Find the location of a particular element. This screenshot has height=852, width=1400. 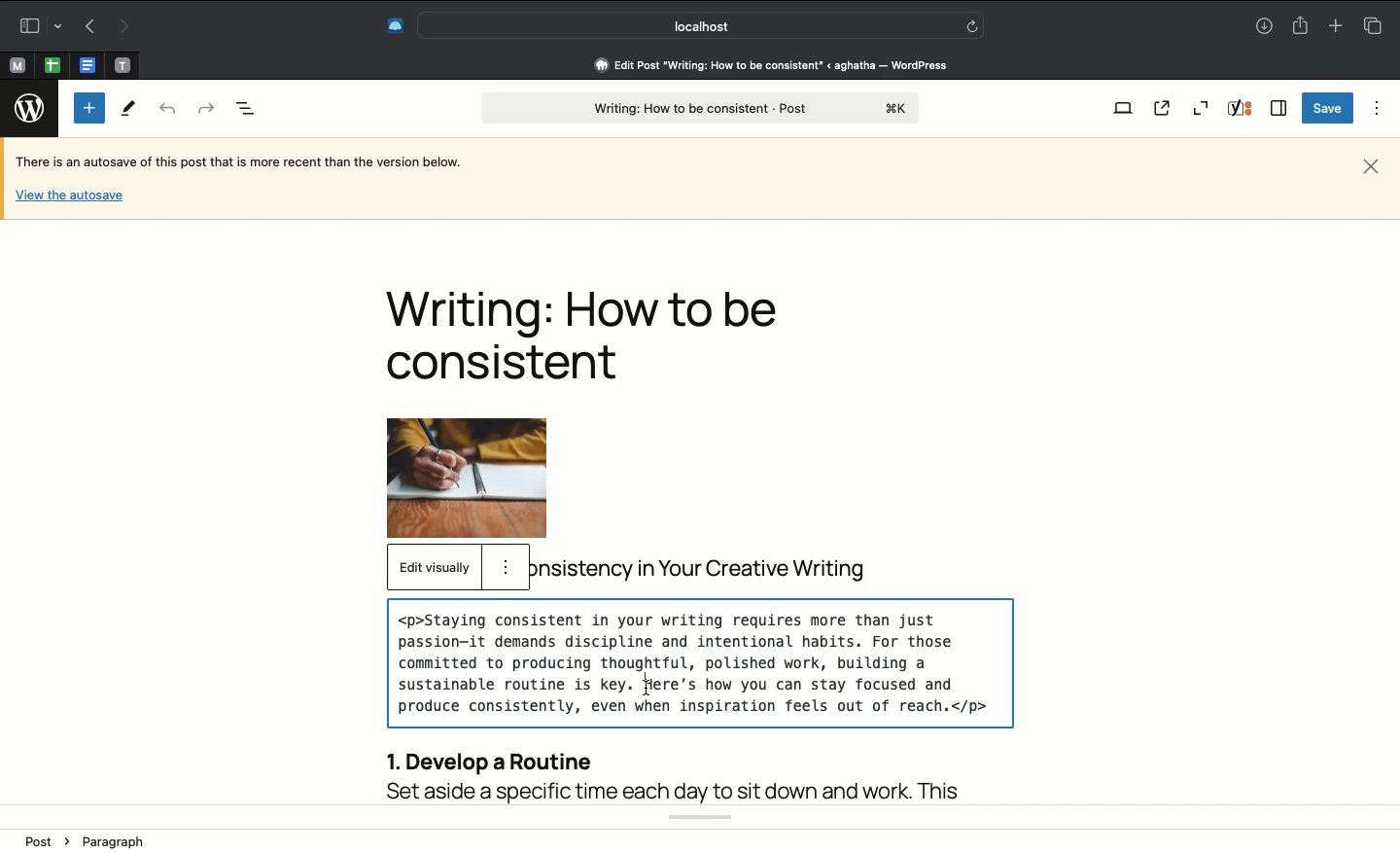

body is located at coordinates (703, 696).